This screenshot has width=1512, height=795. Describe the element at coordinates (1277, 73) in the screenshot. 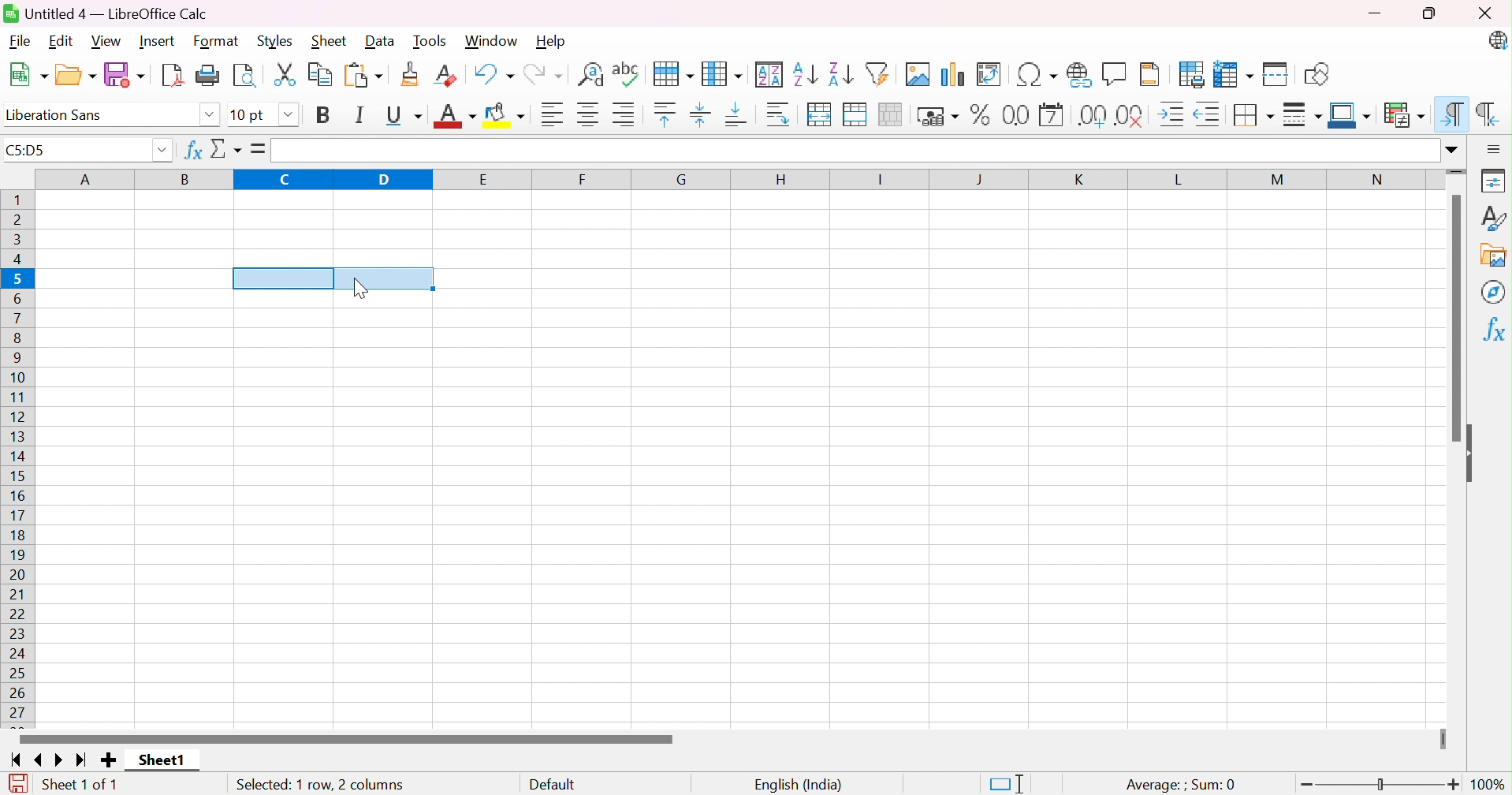

I see `Split Window` at that location.